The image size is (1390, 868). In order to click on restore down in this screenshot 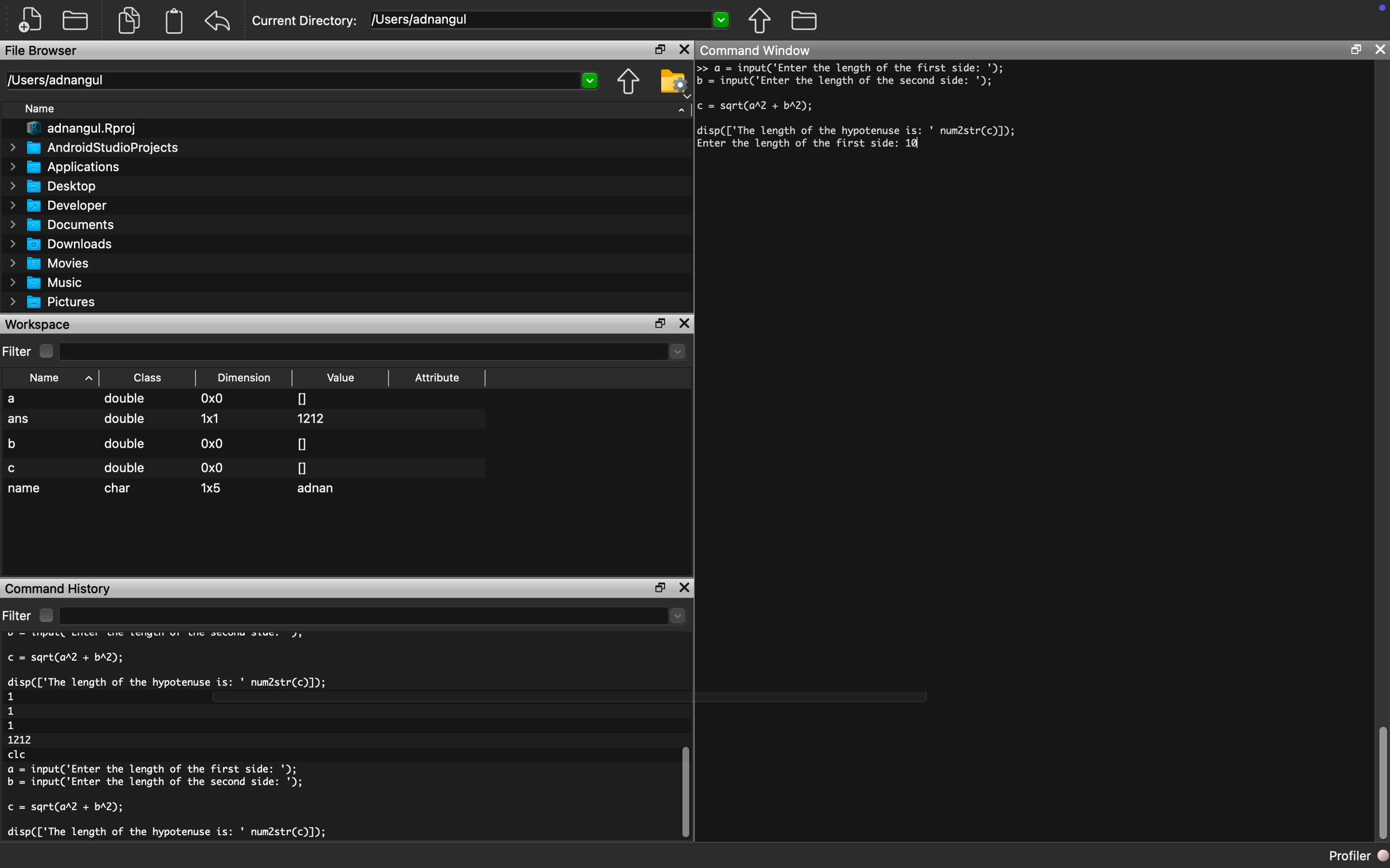, I will do `click(657, 587)`.